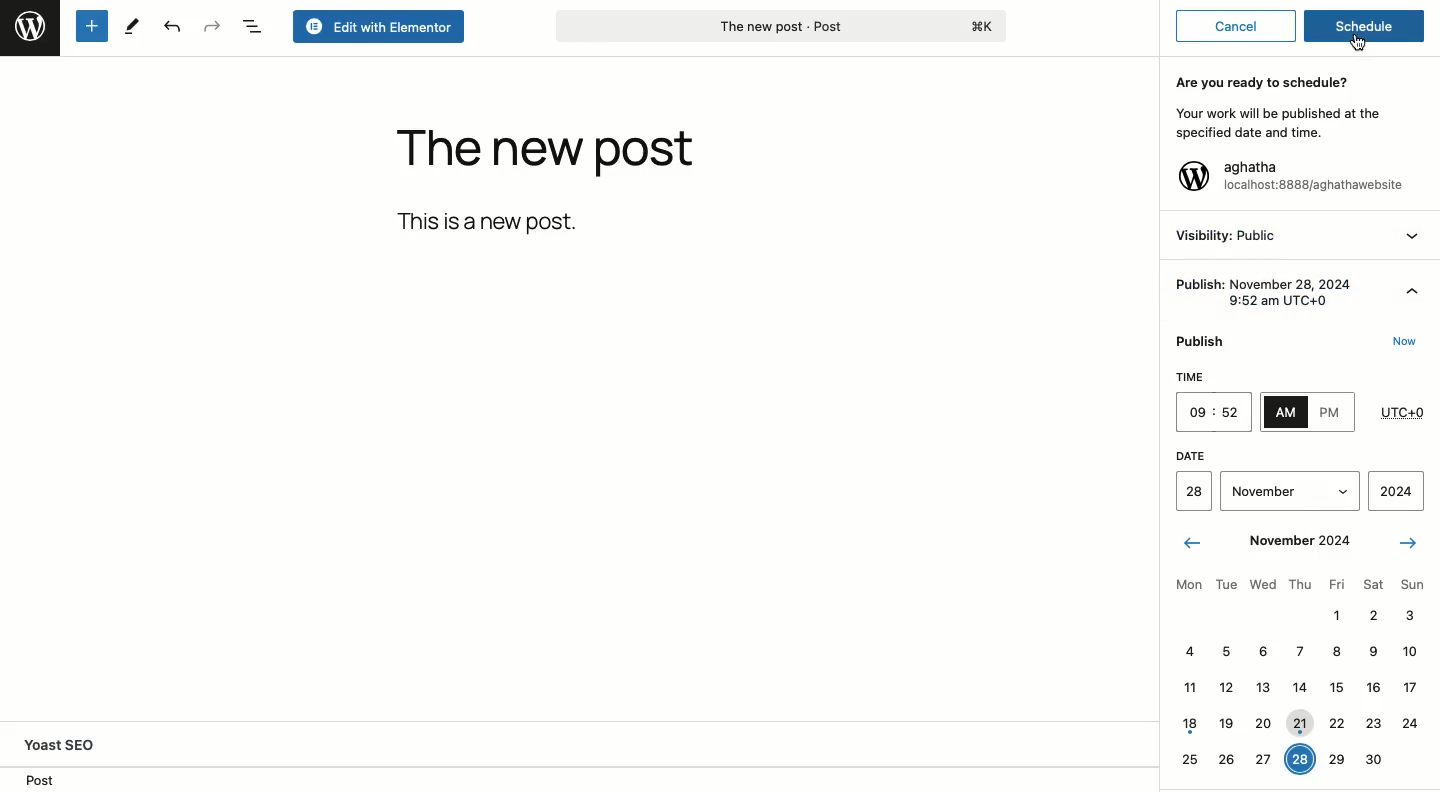 The width and height of the screenshot is (1440, 792). What do you see at coordinates (1374, 720) in the screenshot?
I see `23` at bounding box center [1374, 720].